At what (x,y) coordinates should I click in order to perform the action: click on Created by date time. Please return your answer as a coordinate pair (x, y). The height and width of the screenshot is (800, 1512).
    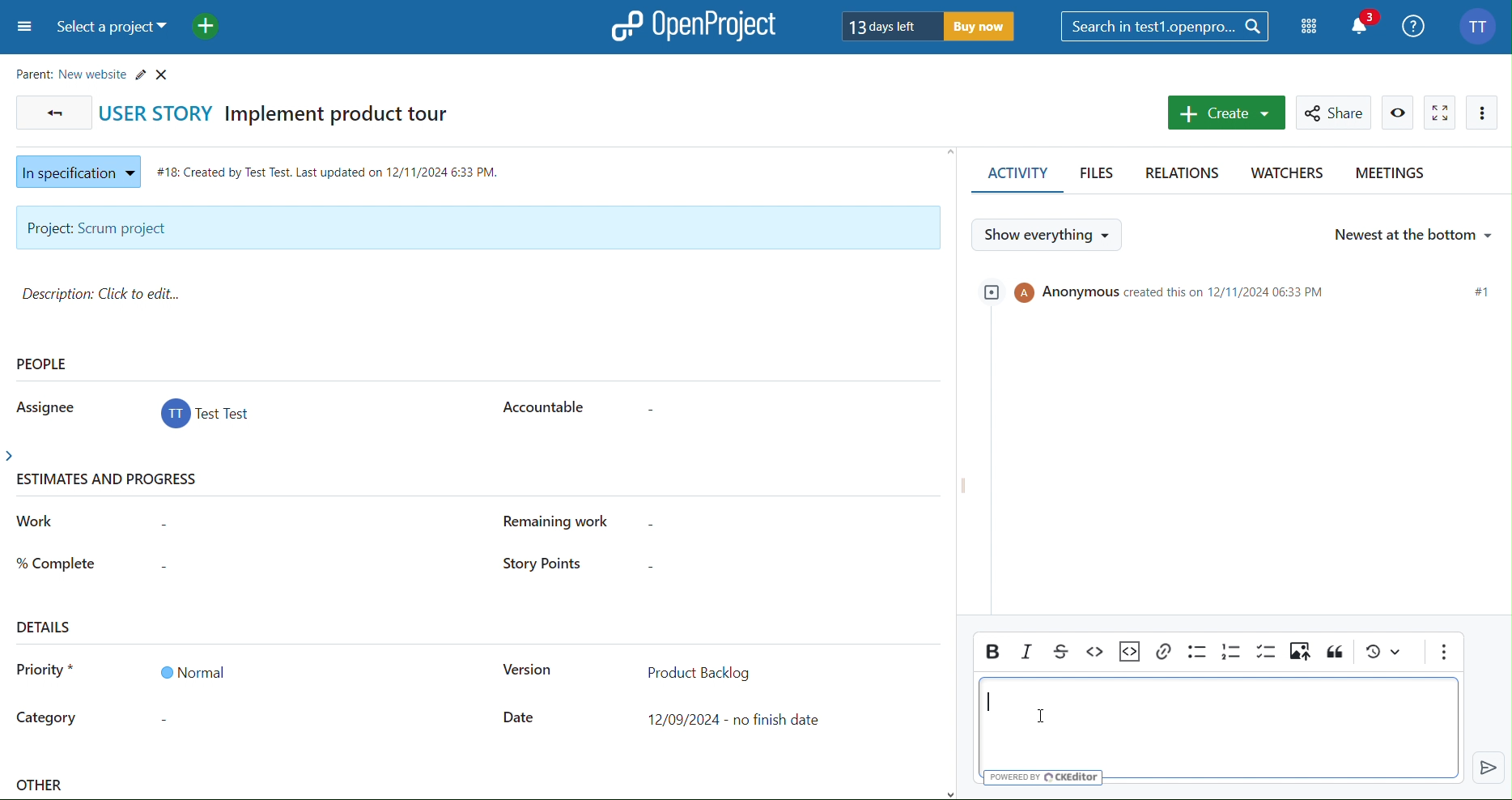
    Looking at the image, I should click on (332, 168).